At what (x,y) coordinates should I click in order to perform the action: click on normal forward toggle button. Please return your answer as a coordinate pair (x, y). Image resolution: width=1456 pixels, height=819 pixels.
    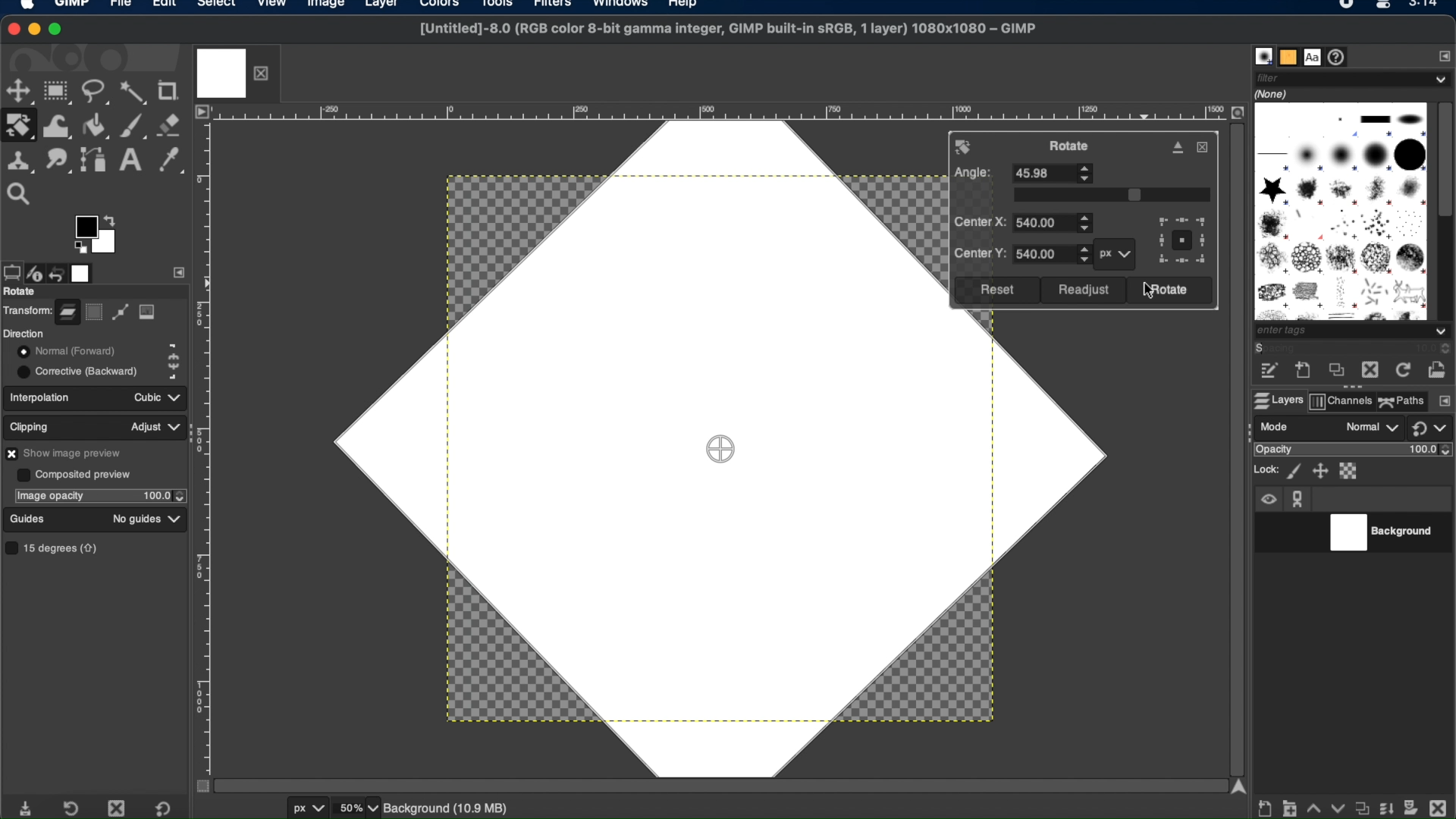
    Looking at the image, I should click on (64, 351).